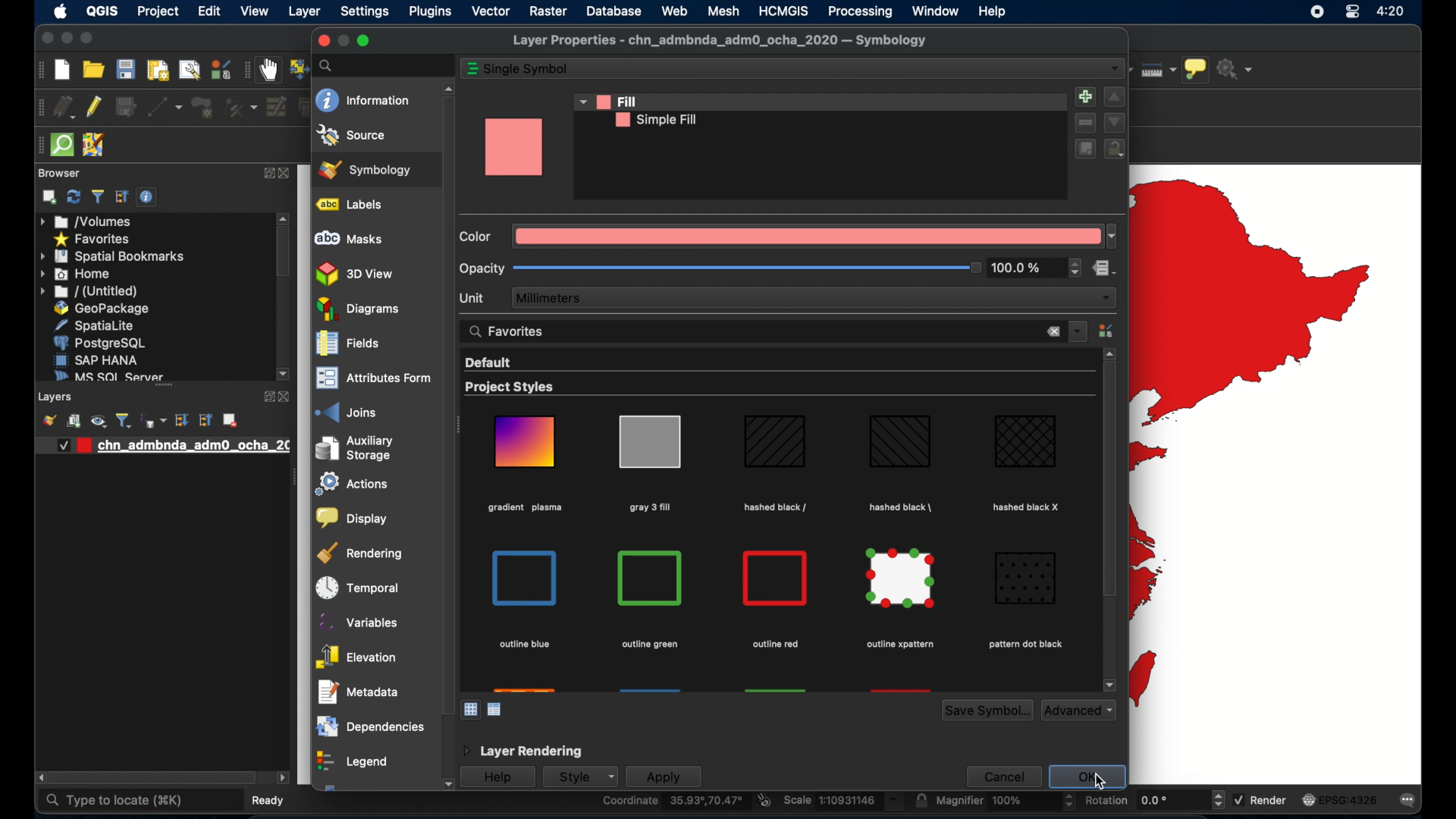  I want to click on filter legen, so click(124, 420).